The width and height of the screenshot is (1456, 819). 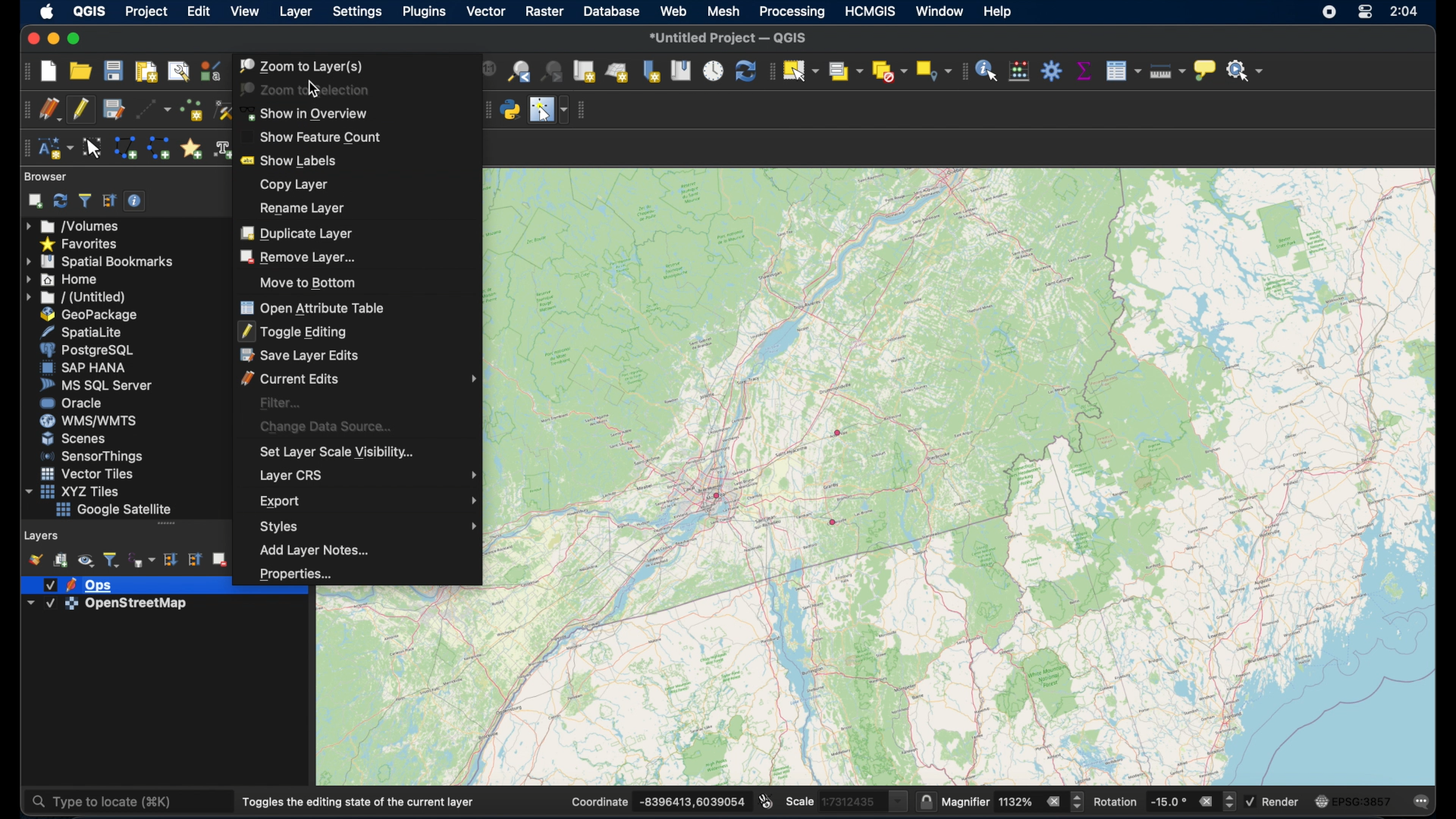 I want to click on help, so click(x=997, y=13).